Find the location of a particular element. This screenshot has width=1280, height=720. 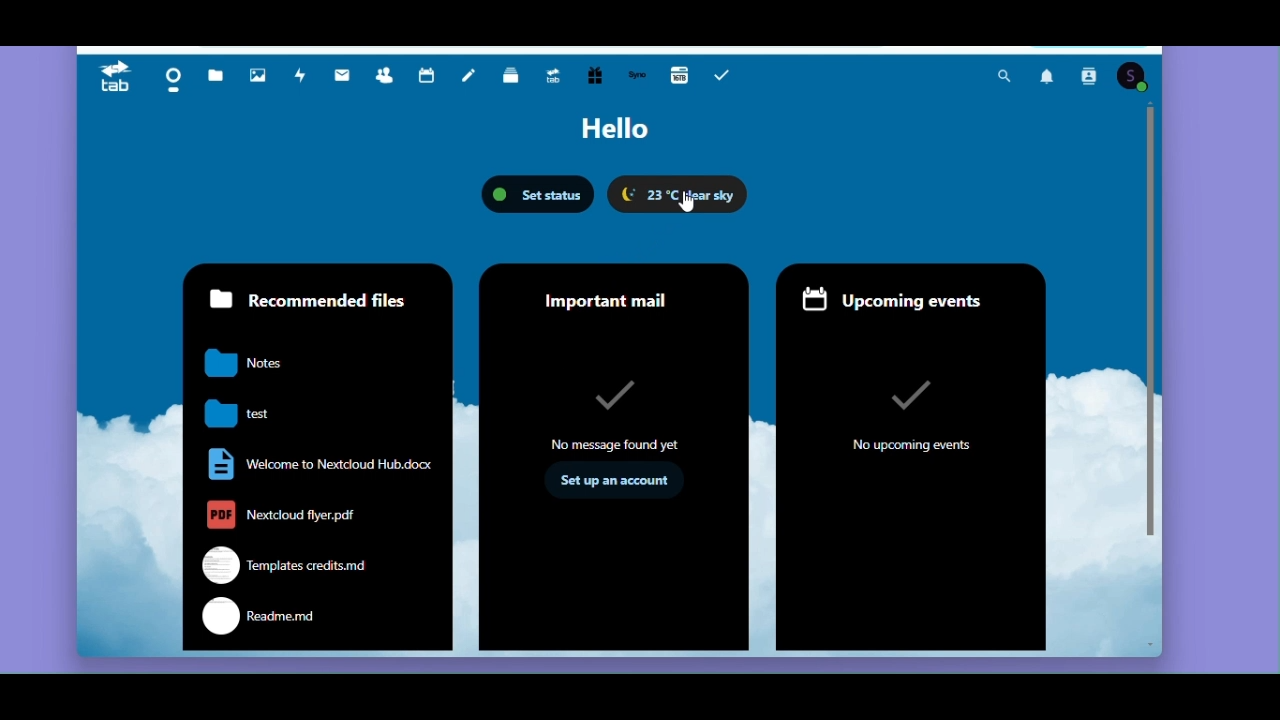

test is located at coordinates (234, 414).